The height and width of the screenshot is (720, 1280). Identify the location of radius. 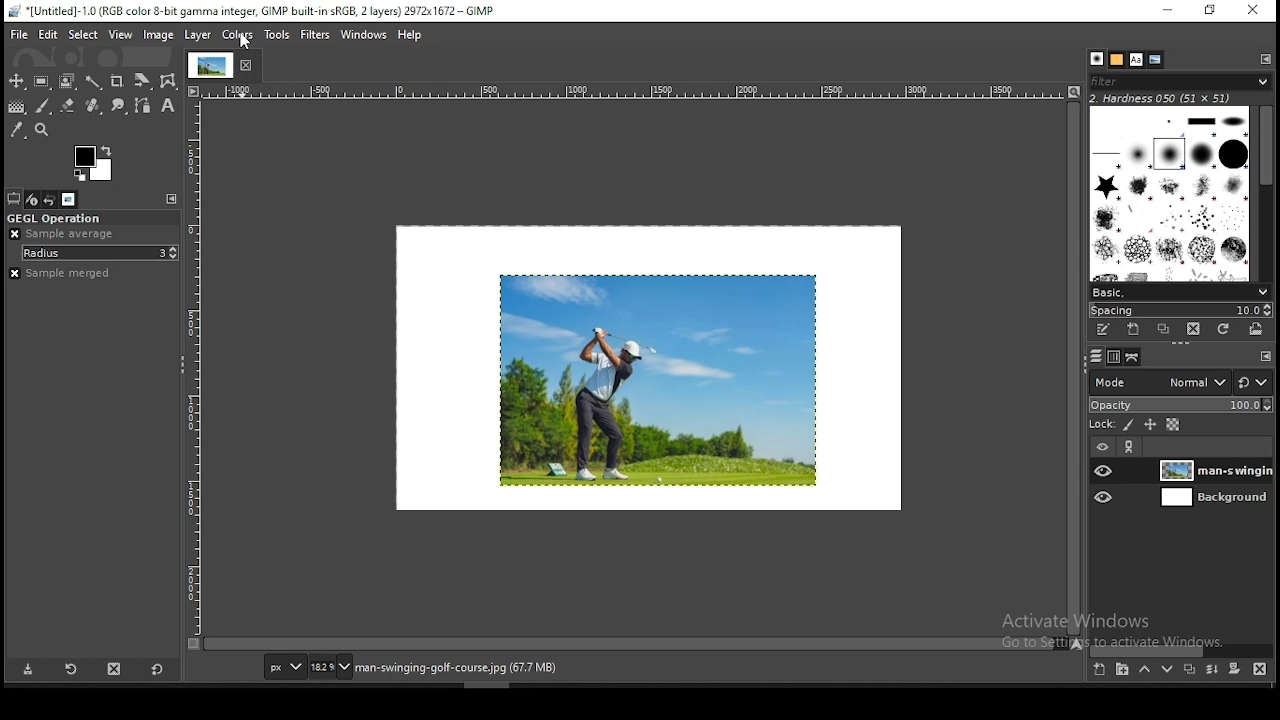
(100, 253).